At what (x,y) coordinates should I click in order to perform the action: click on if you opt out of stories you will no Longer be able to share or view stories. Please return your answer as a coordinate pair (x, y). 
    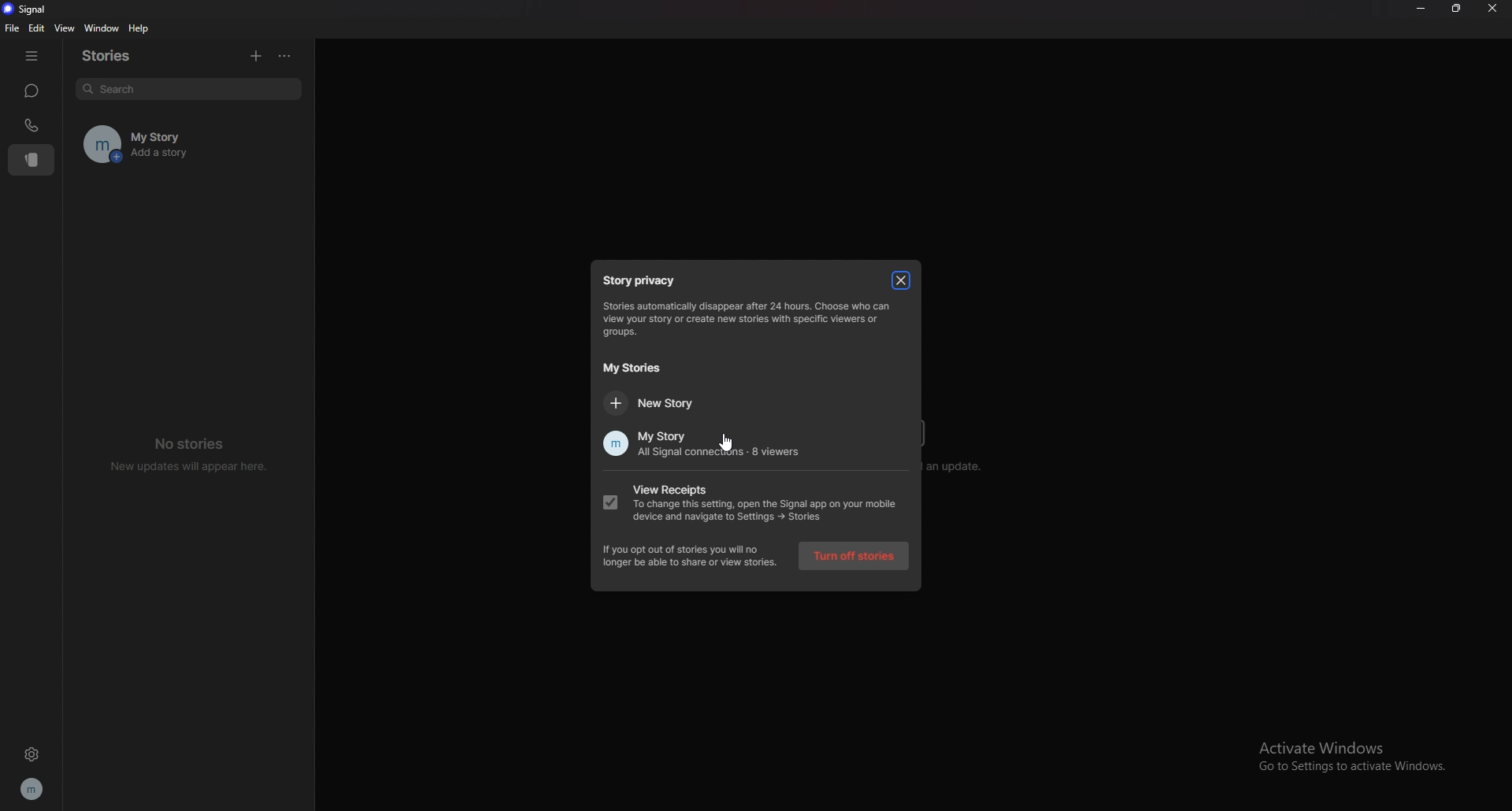
    Looking at the image, I should click on (691, 556).